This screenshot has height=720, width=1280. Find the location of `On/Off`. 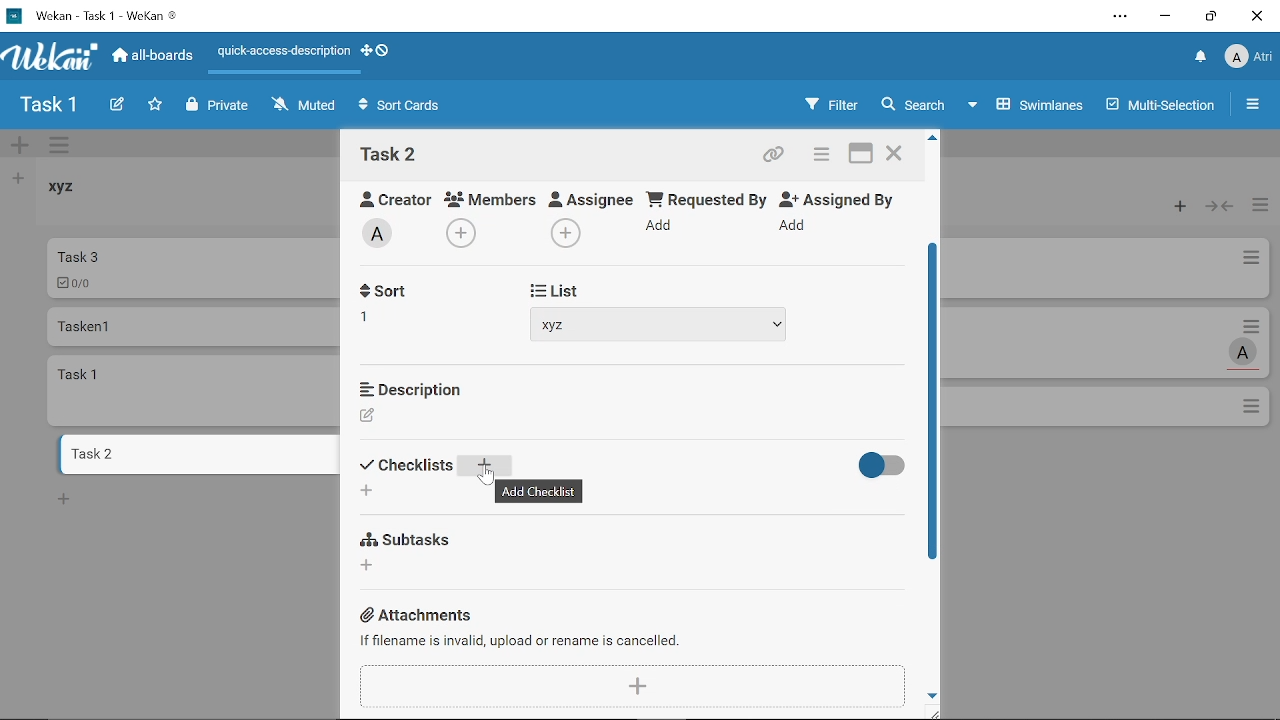

On/Off is located at coordinates (877, 466).